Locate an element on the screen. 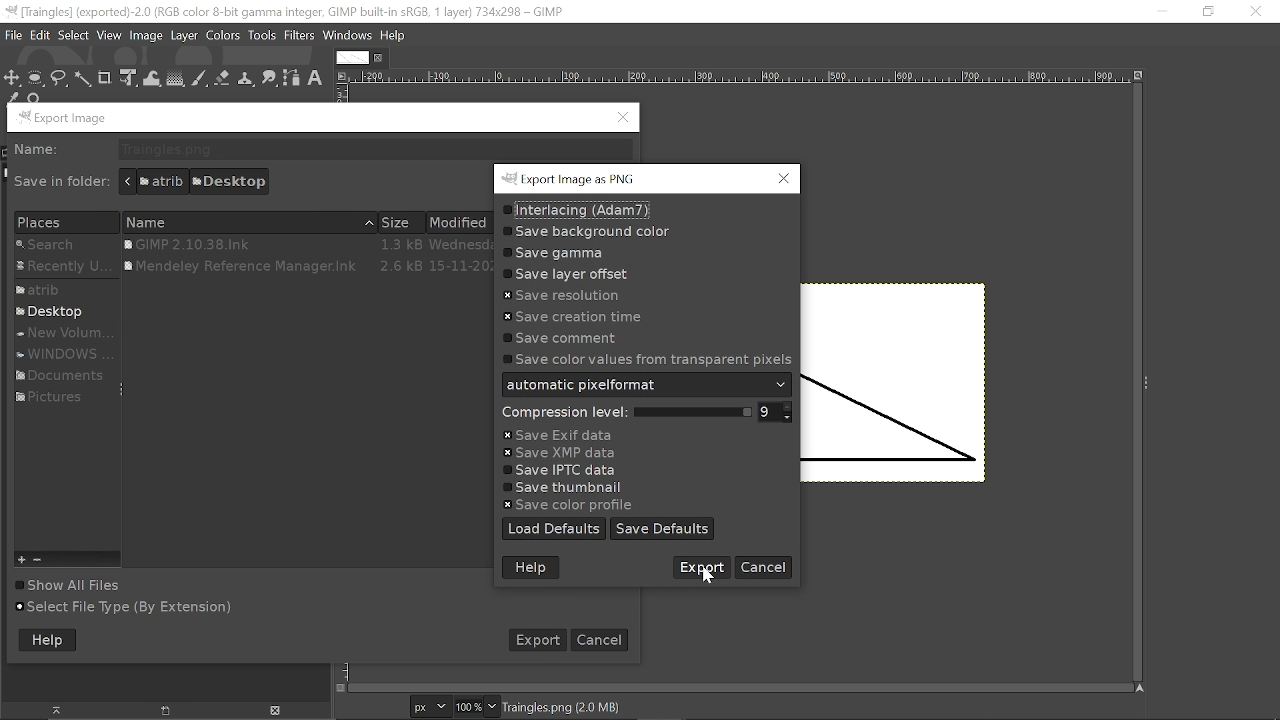 The image size is (1280, 720). Access image options is located at coordinates (340, 75).